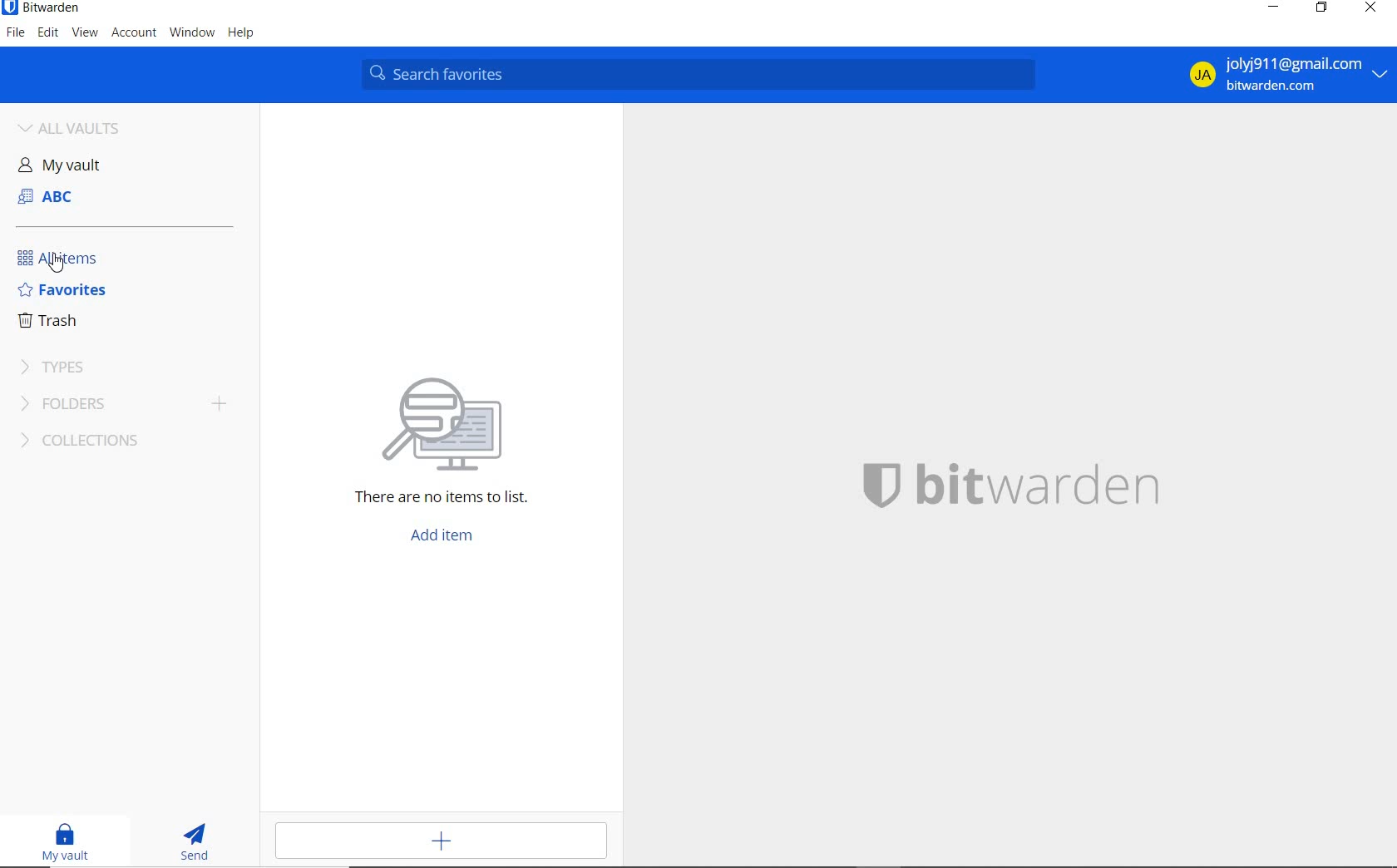  What do you see at coordinates (81, 194) in the screenshot?
I see `SHARED VAULT: ABC` at bounding box center [81, 194].